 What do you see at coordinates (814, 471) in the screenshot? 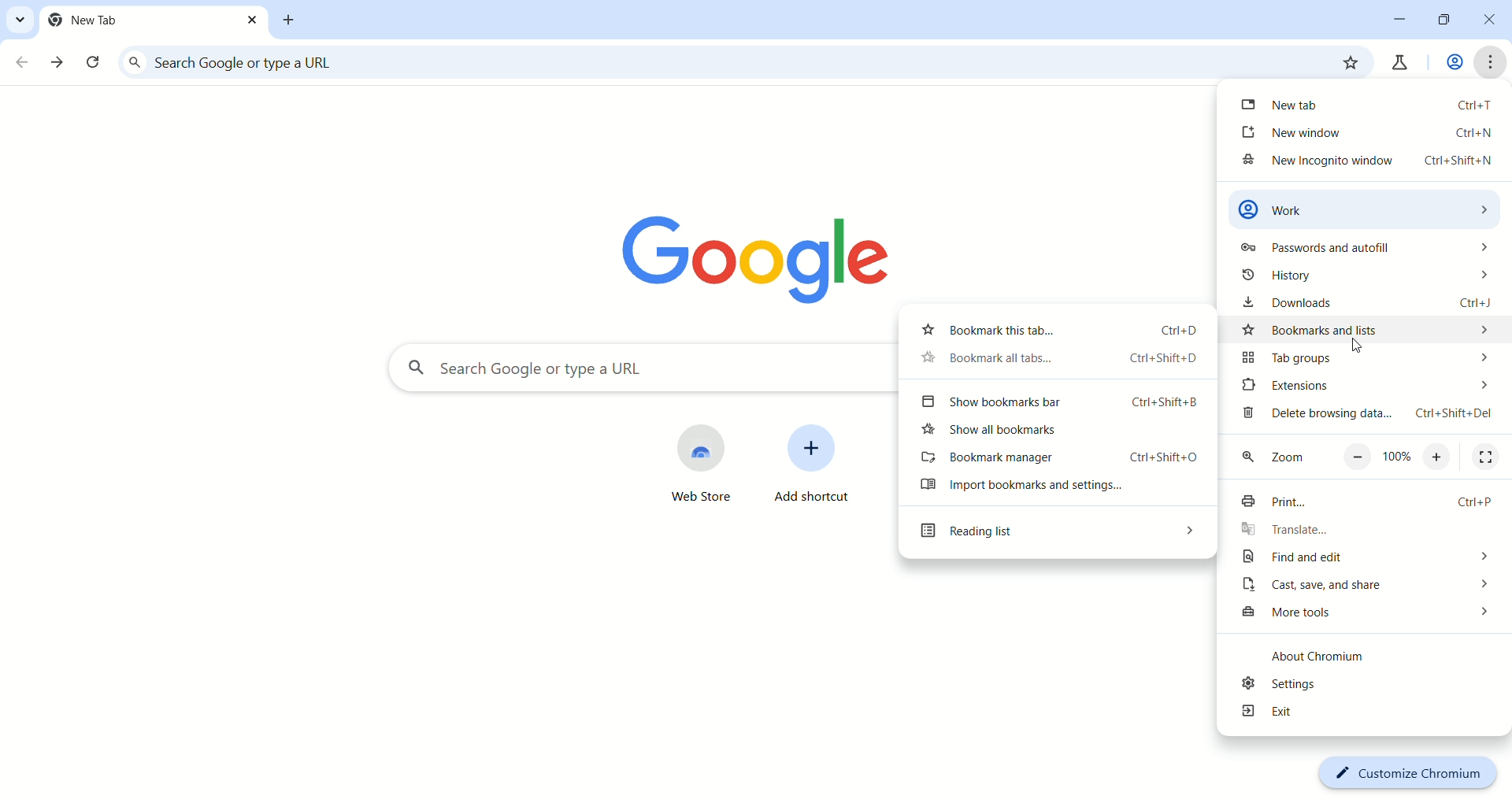
I see `add shortcut` at bounding box center [814, 471].